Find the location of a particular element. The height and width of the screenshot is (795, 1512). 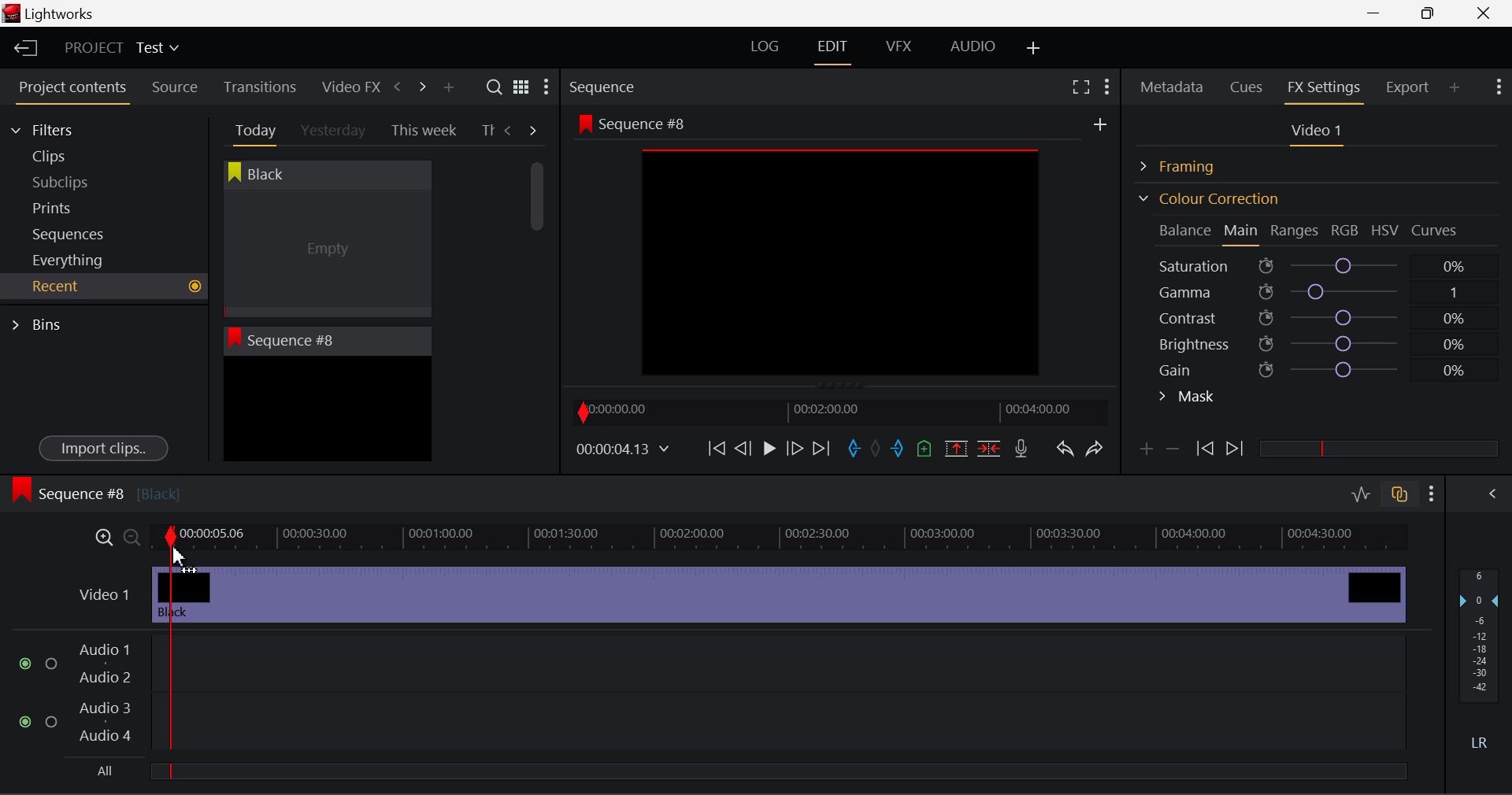

Timeline Zoom Out is located at coordinates (131, 537).